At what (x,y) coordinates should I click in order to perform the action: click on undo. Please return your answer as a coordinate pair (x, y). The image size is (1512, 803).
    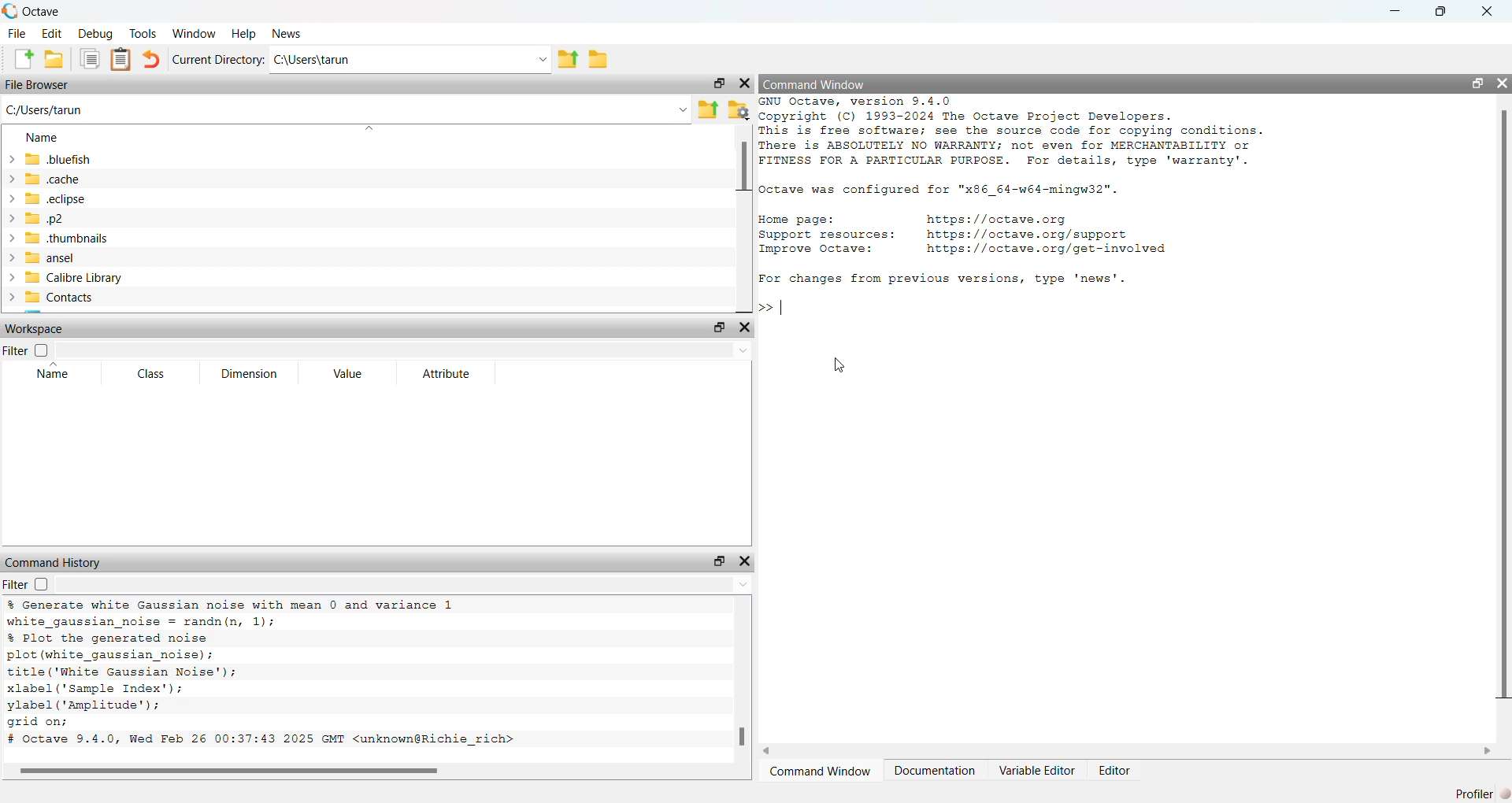
    Looking at the image, I should click on (150, 59).